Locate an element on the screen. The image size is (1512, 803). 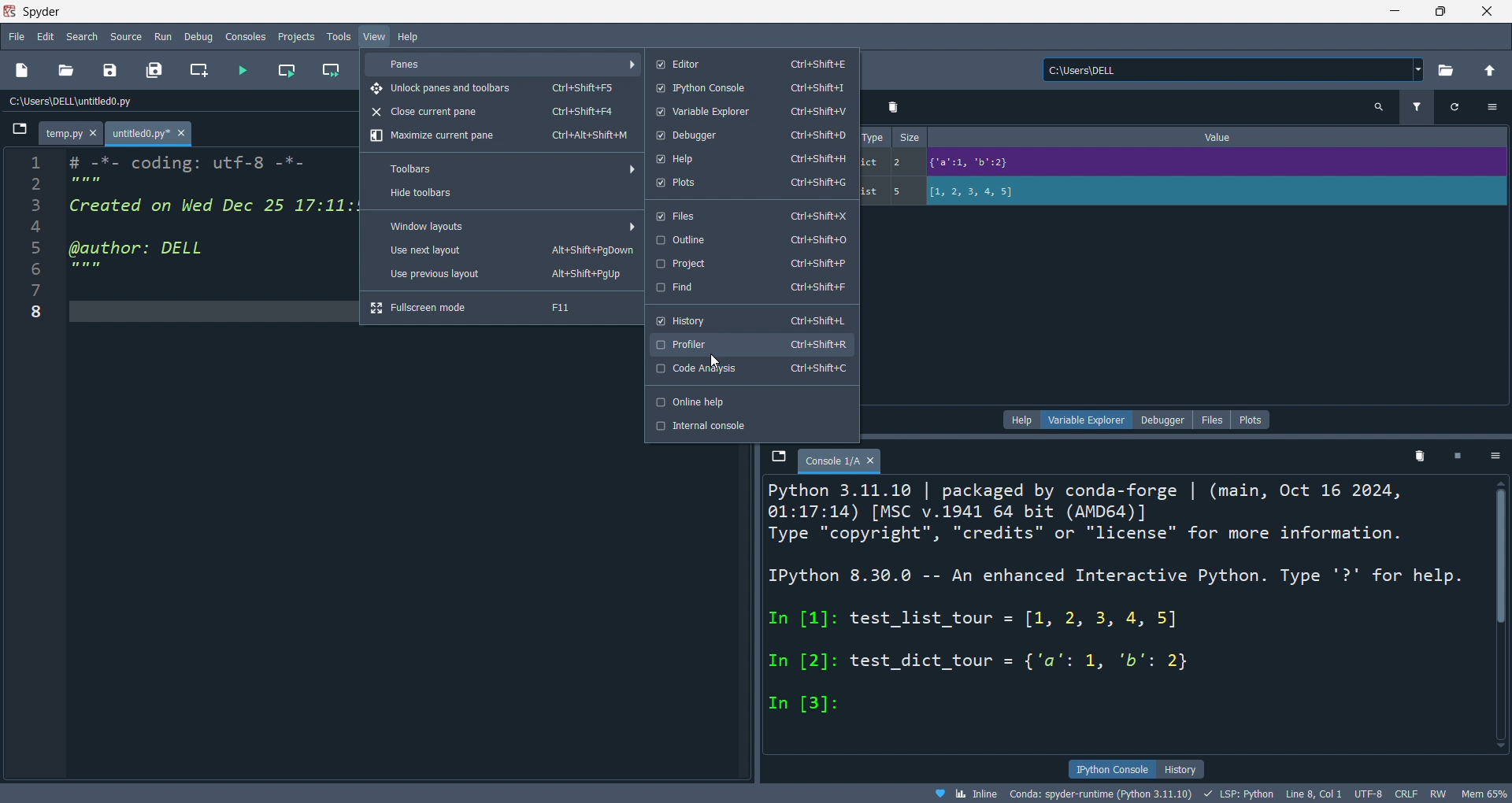
help is located at coordinates (755, 161).